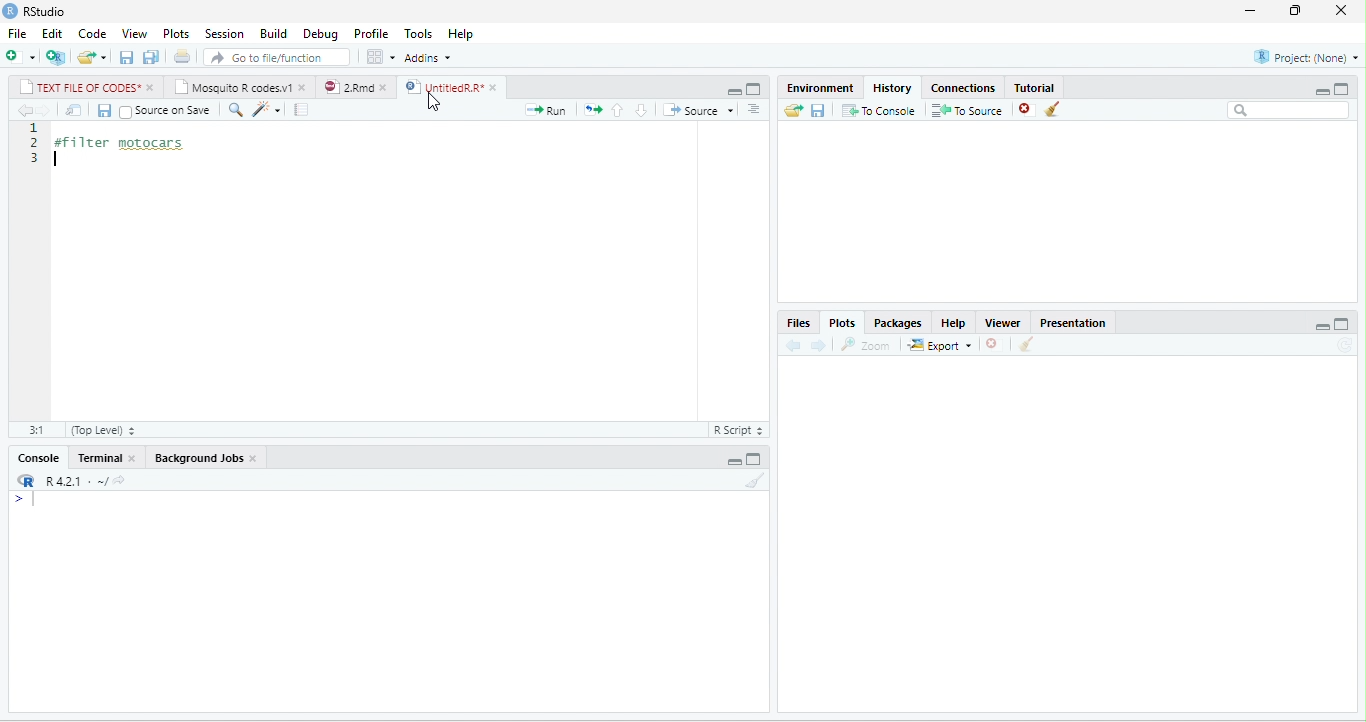 This screenshot has width=1366, height=722. What do you see at coordinates (30, 499) in the screenshot?
I see `>` at bounding box center [30, 499].